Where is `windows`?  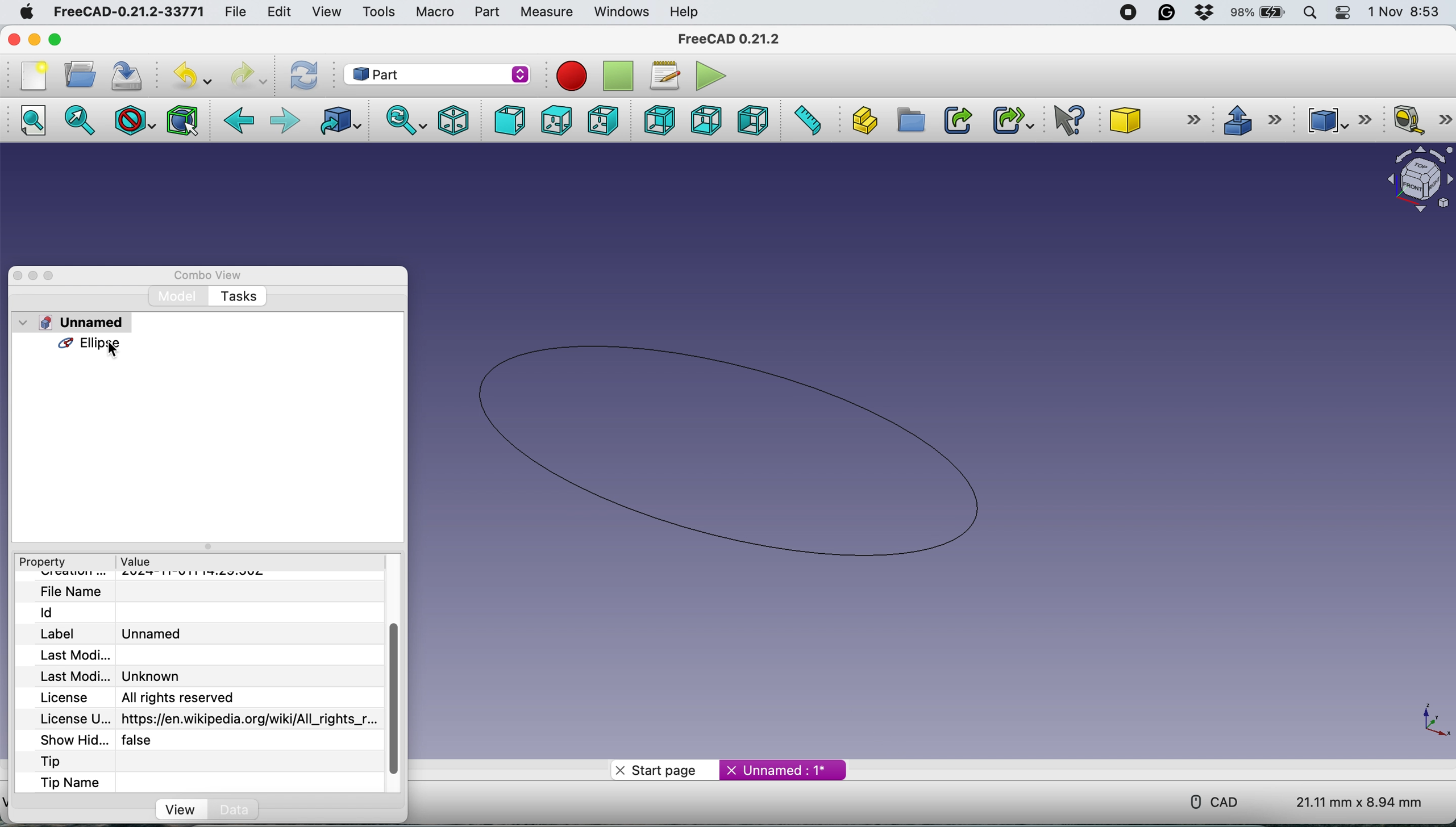
windows is located at coordinates (618, 11).